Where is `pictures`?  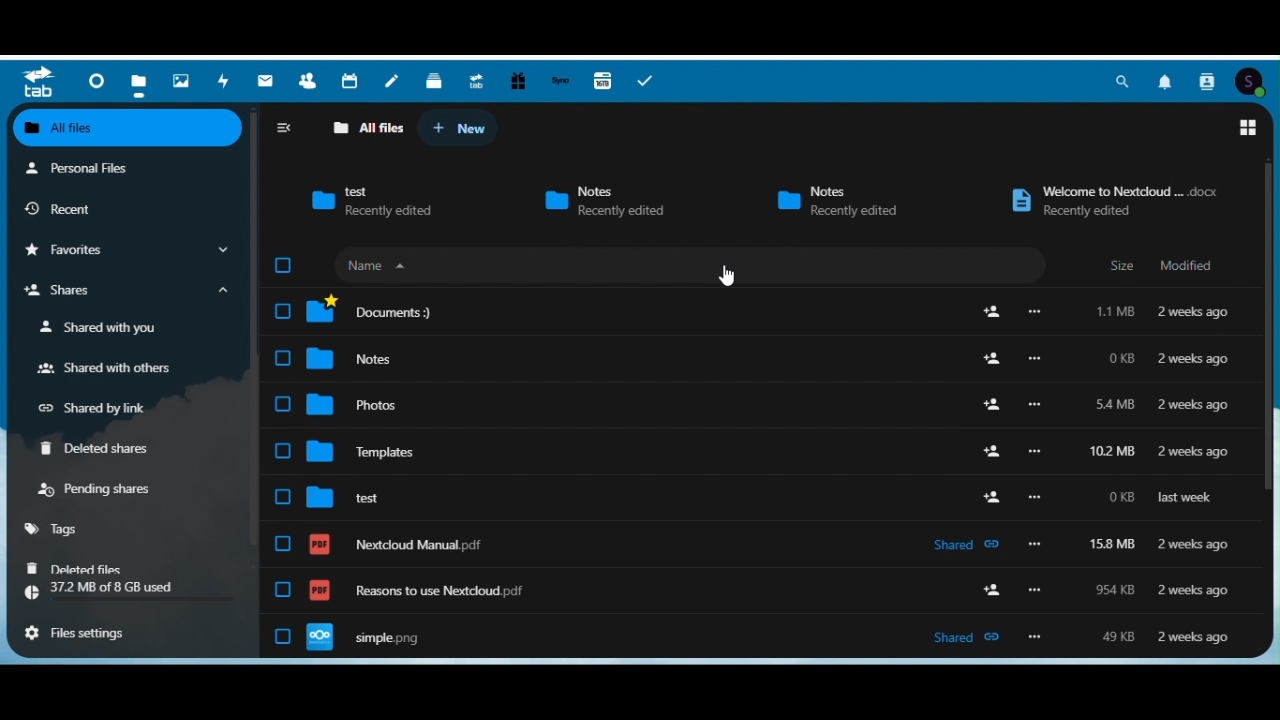 pictures is located at coordinates (760, 408).